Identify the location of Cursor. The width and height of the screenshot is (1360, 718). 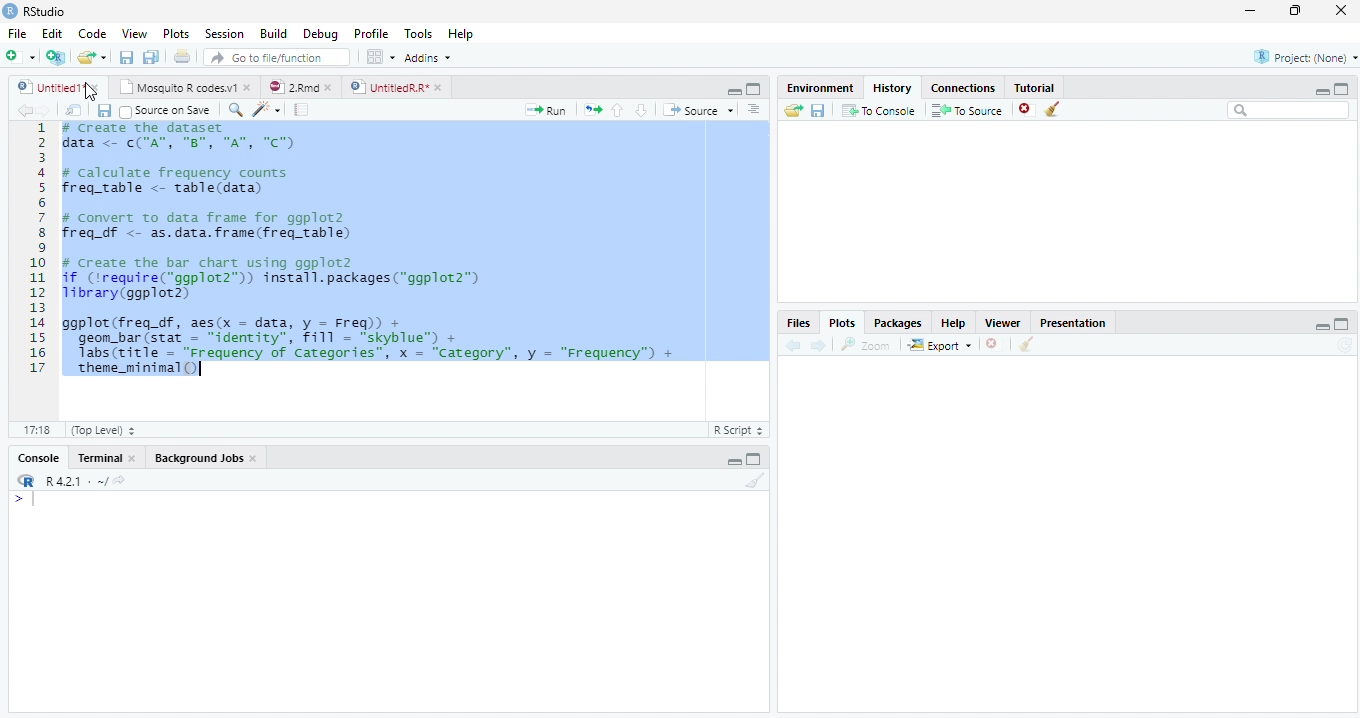
(37, 501).